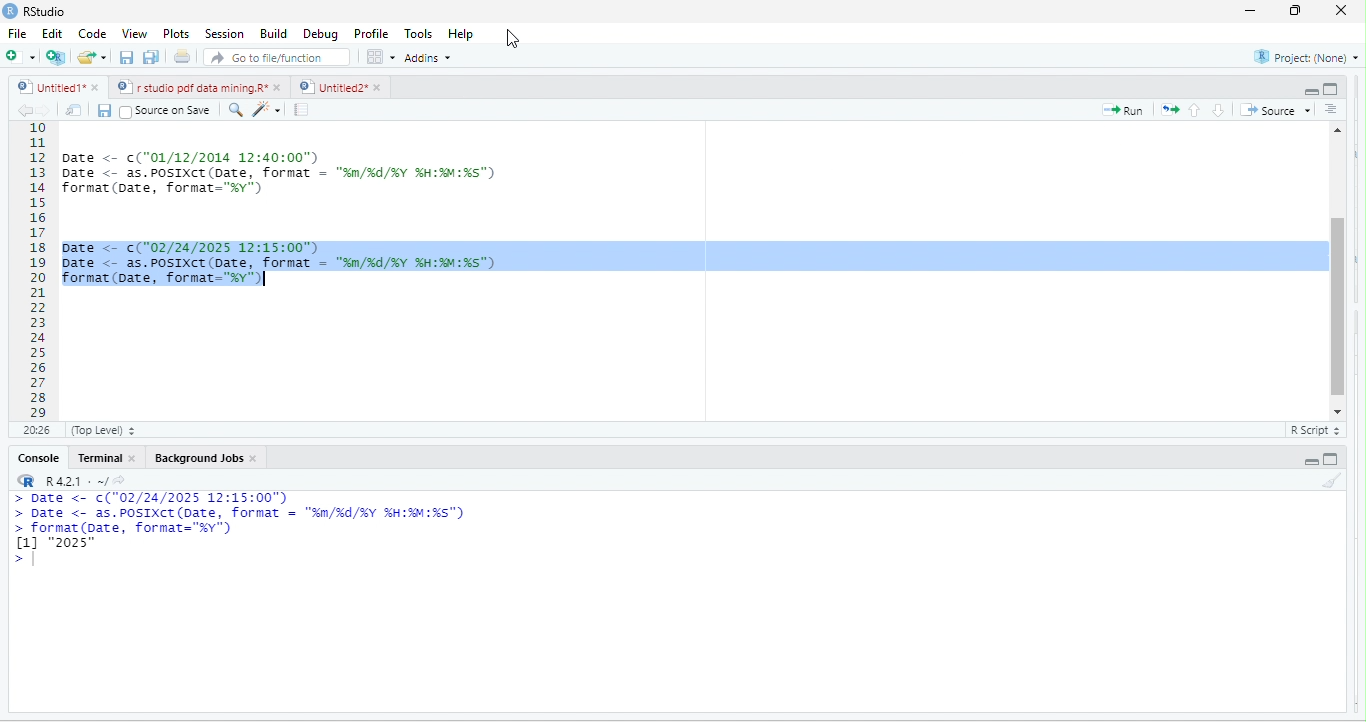 The image size is (1366, 722). What do you see at coordinates (181, 59) in the screenshot?
I see `print the current file` at bounding box center [181, 59].